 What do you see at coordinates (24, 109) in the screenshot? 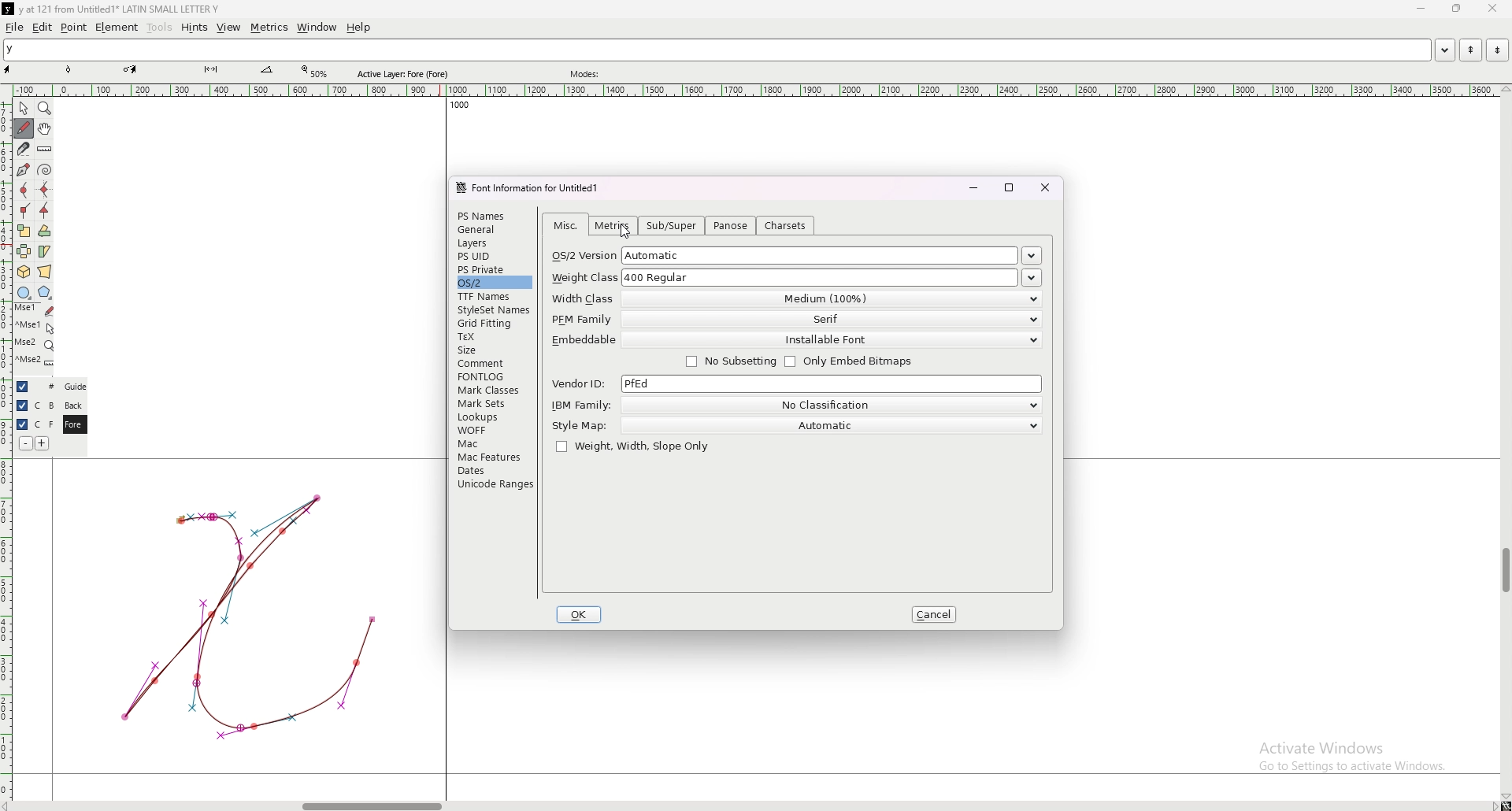
I see `pointer` at bounding box center [24, 109].